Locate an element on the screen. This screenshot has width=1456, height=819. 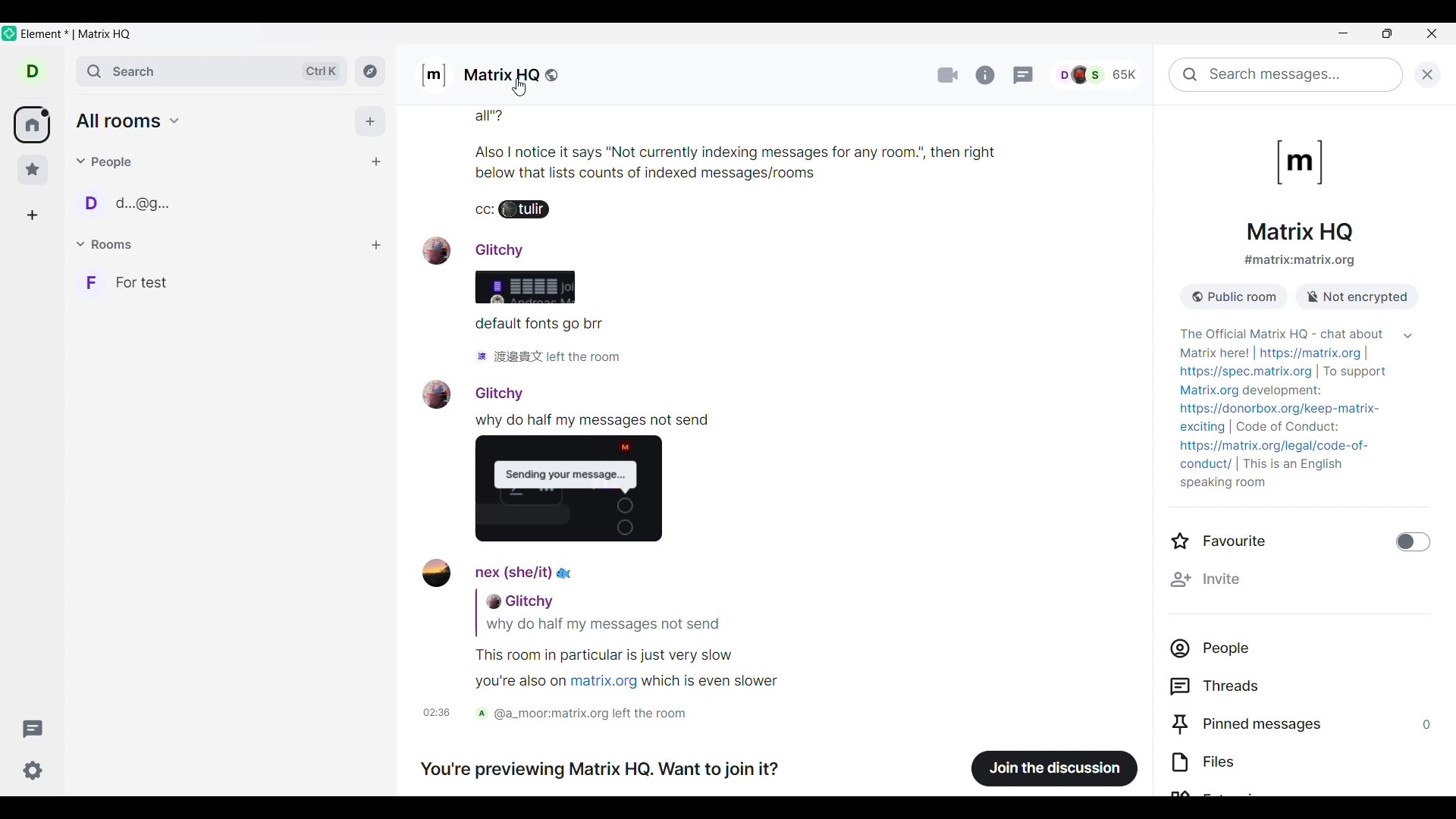
Favorites is located at coordinates (33, 170).